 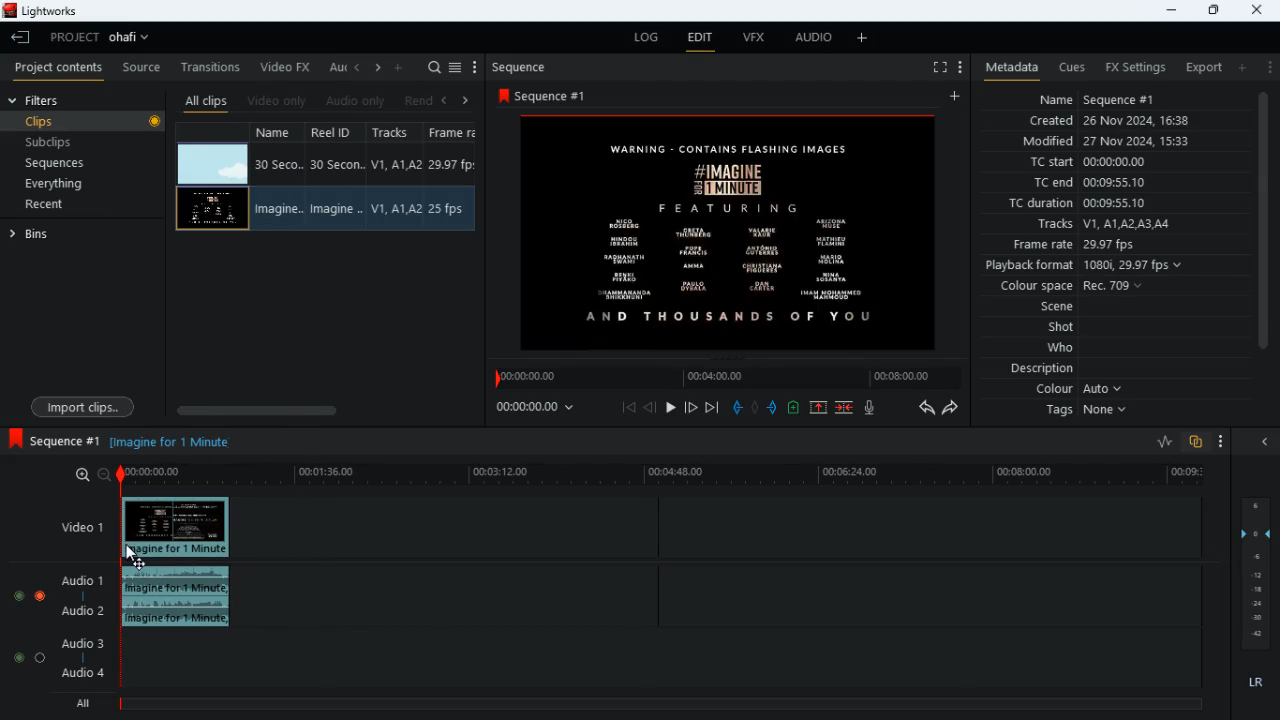 I want to click on audio 4, so click(x=86, y=677).